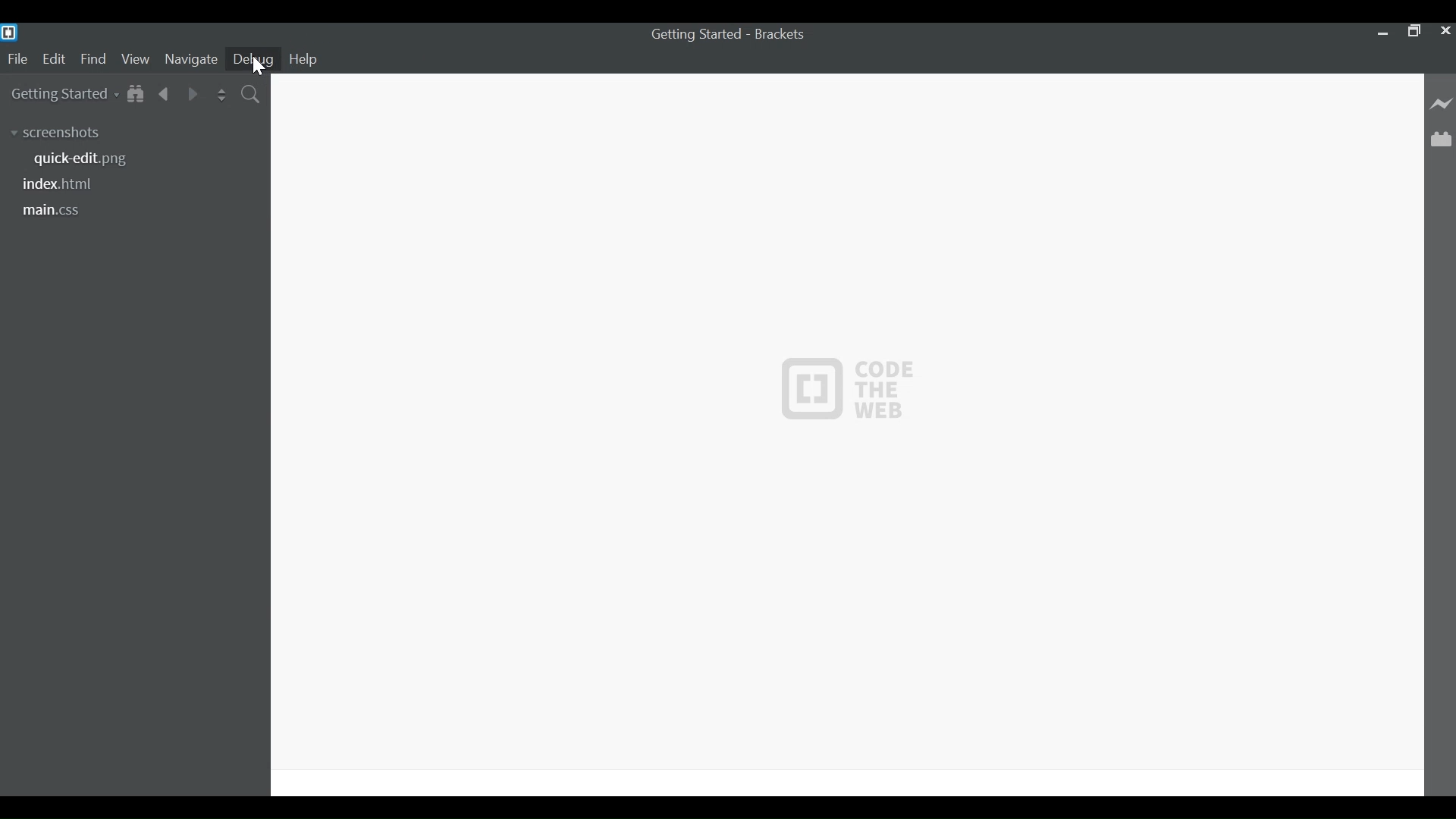  What do you see at coordinates (193, 92) in the screenshot?
I see `Navigate Forward` at bounding box center [193, 92].